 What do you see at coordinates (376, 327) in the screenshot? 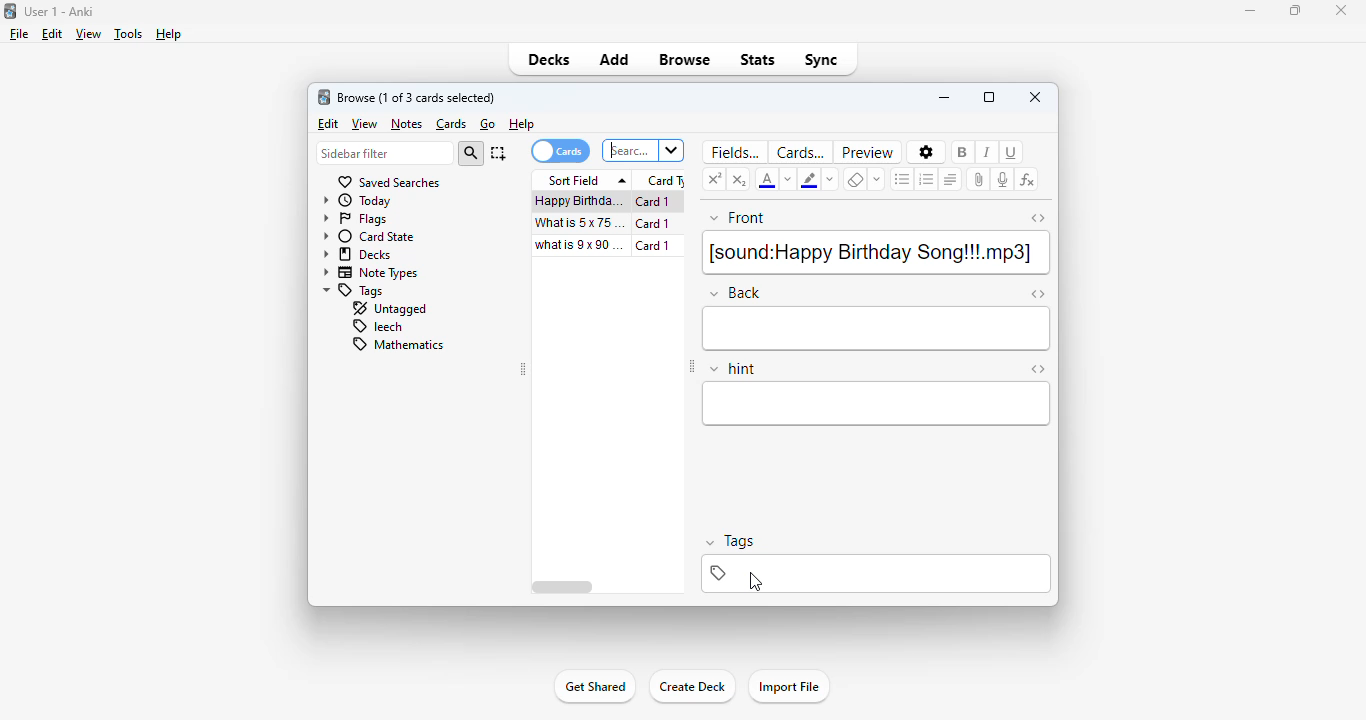
I see `leech` at bounding box center [376, 327].